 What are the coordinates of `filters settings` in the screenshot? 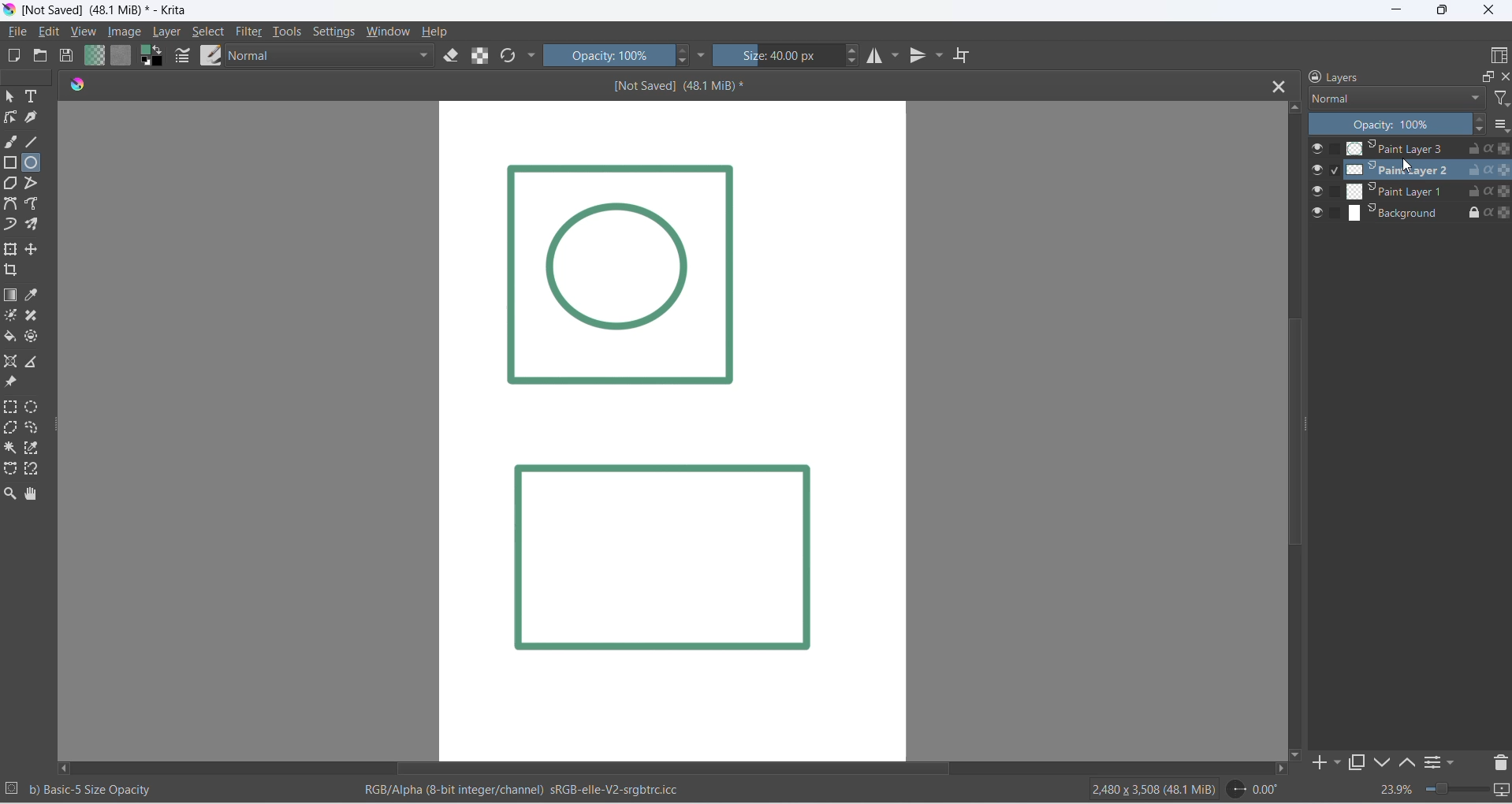 It's located at (1455, 761).